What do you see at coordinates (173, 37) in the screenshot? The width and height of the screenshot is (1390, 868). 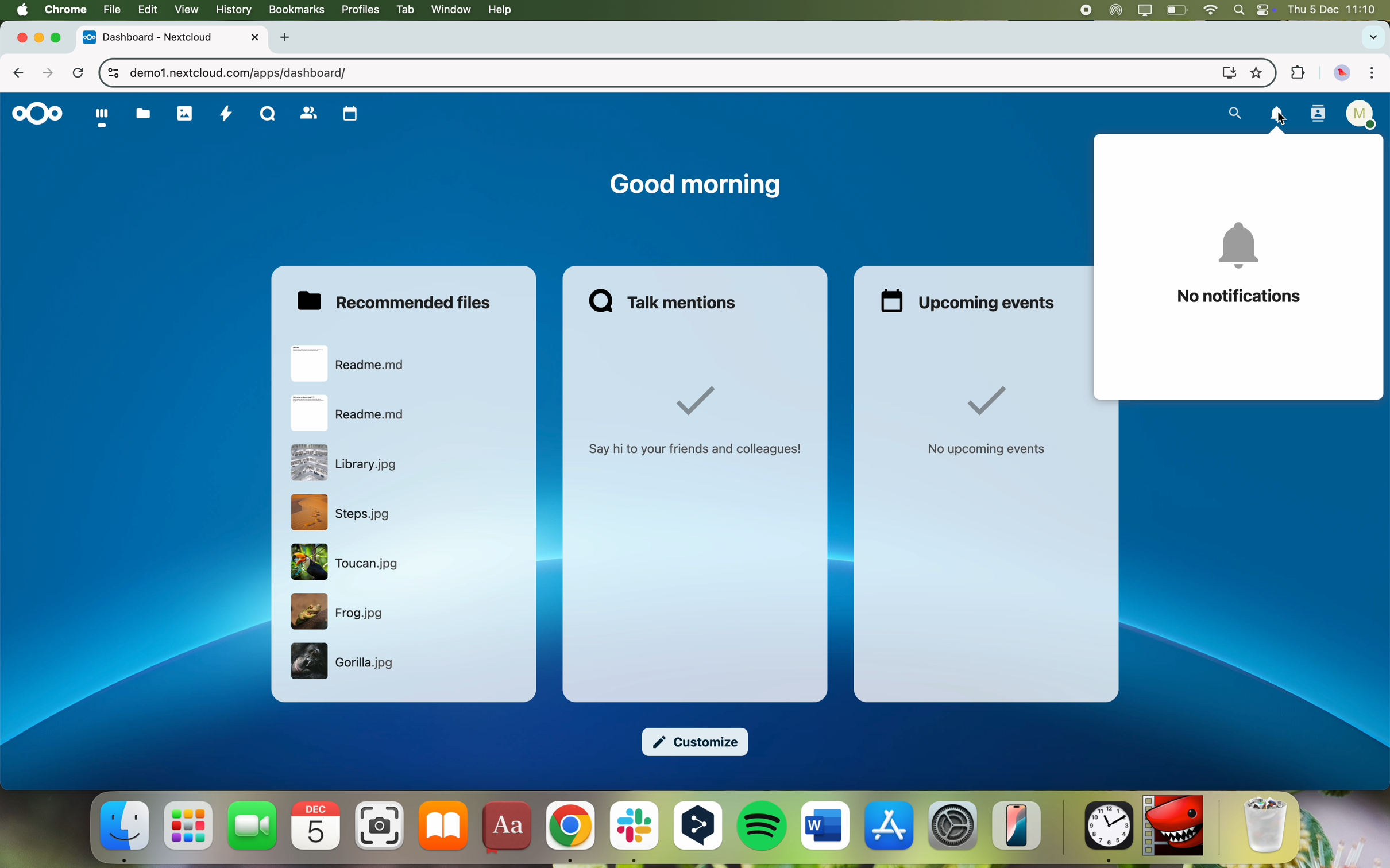 I see `tab` at bounding box center [173, 37].